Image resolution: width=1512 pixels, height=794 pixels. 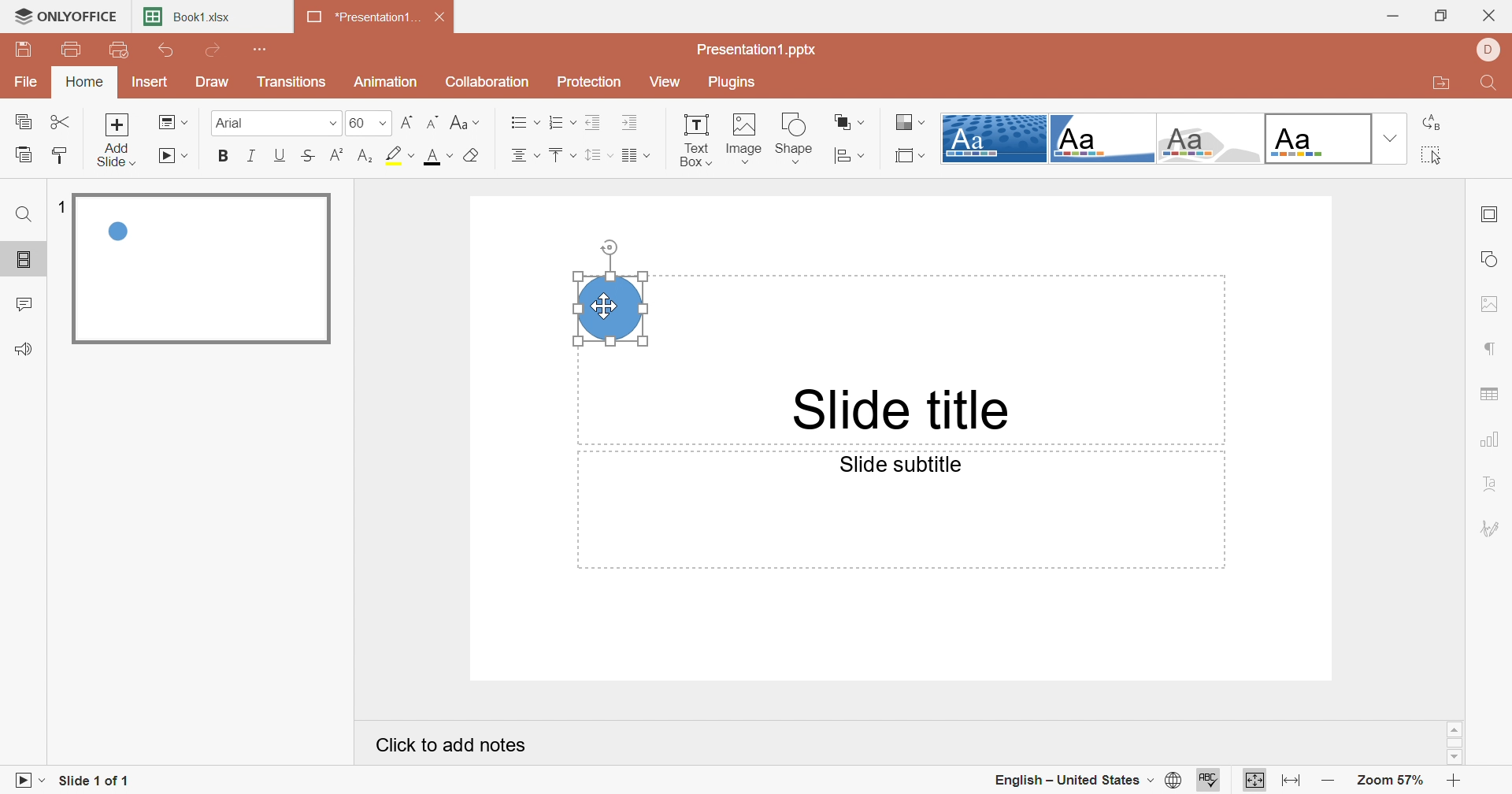 What do you see at coordinates (598, 156) in the screenshot?
I see `Line spacing` at bounding box center [598, 156].